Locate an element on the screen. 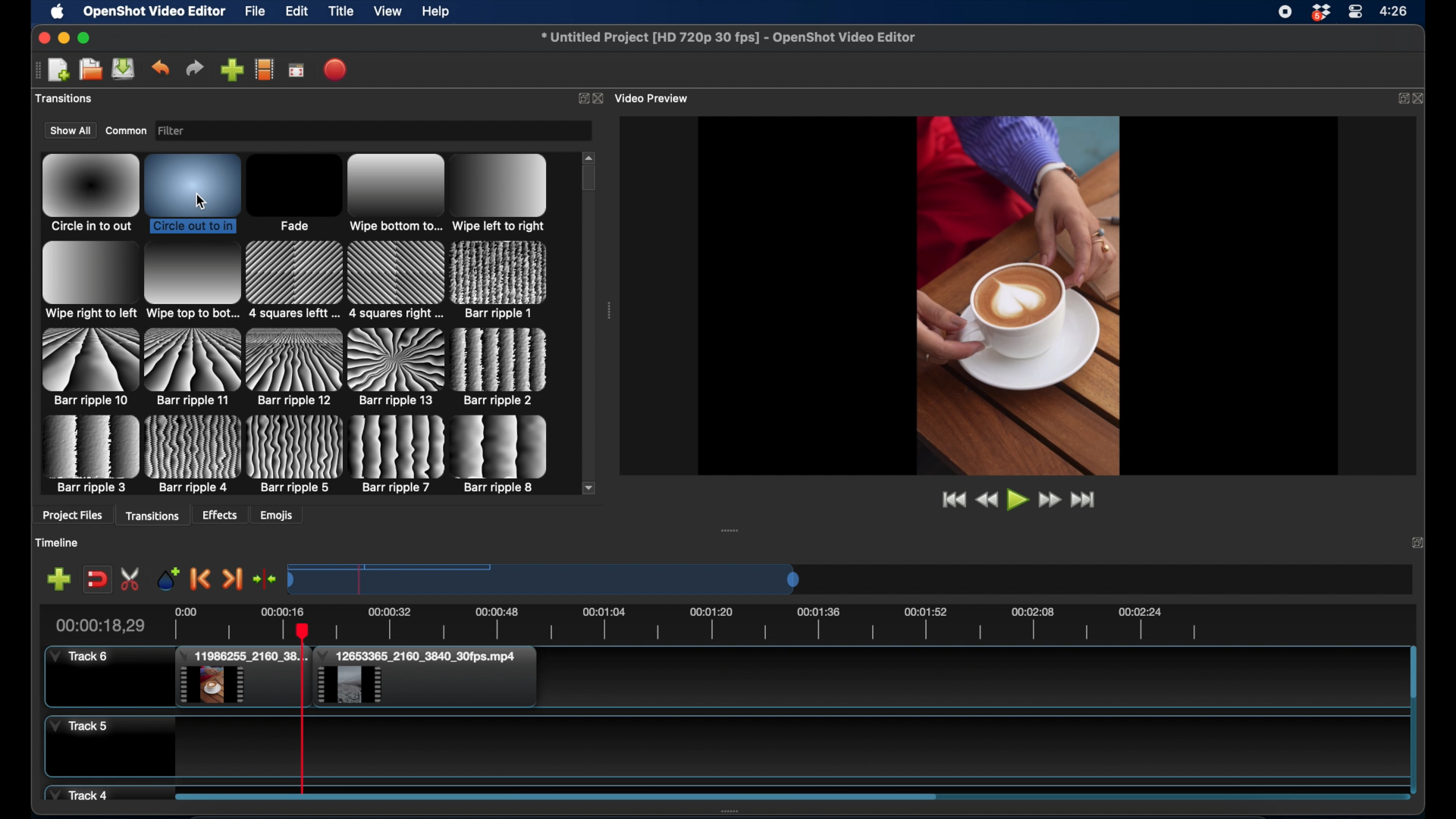  transition is located at coordinates (500, 280).